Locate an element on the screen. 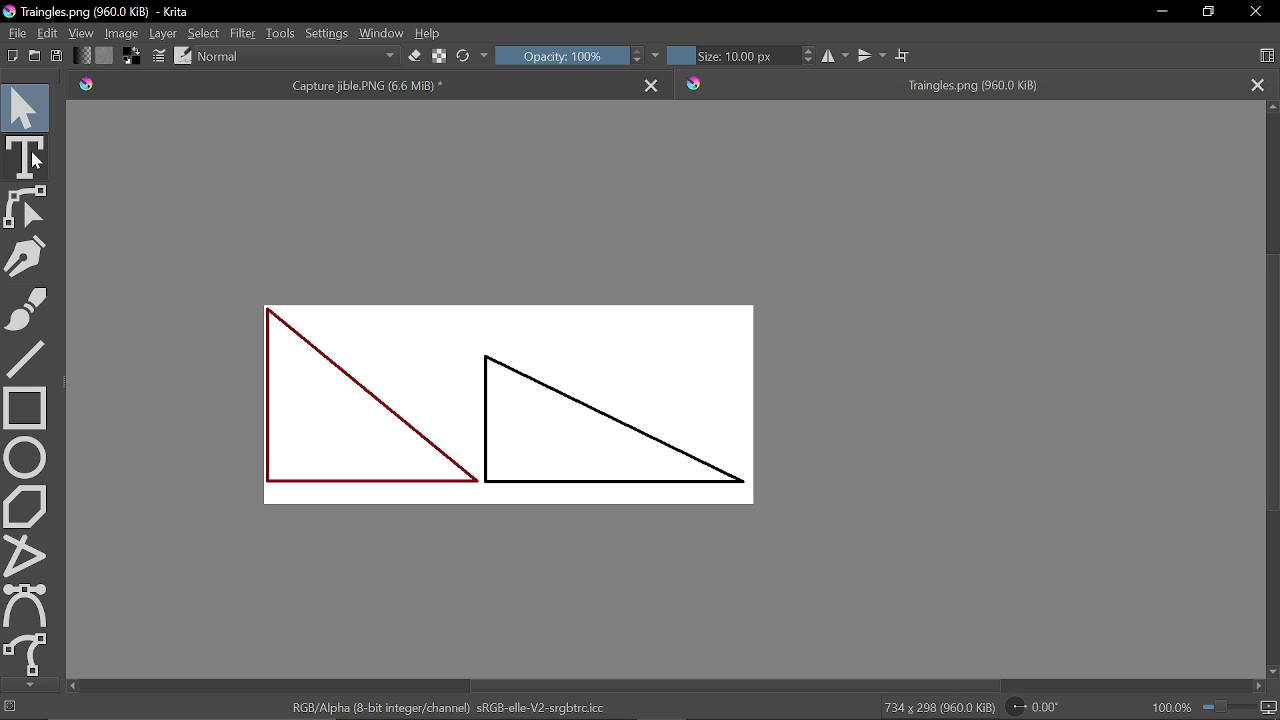 Image resolution: width=1280 pixels, height=720 pixels. Move left is located at coordinates (72, 686).